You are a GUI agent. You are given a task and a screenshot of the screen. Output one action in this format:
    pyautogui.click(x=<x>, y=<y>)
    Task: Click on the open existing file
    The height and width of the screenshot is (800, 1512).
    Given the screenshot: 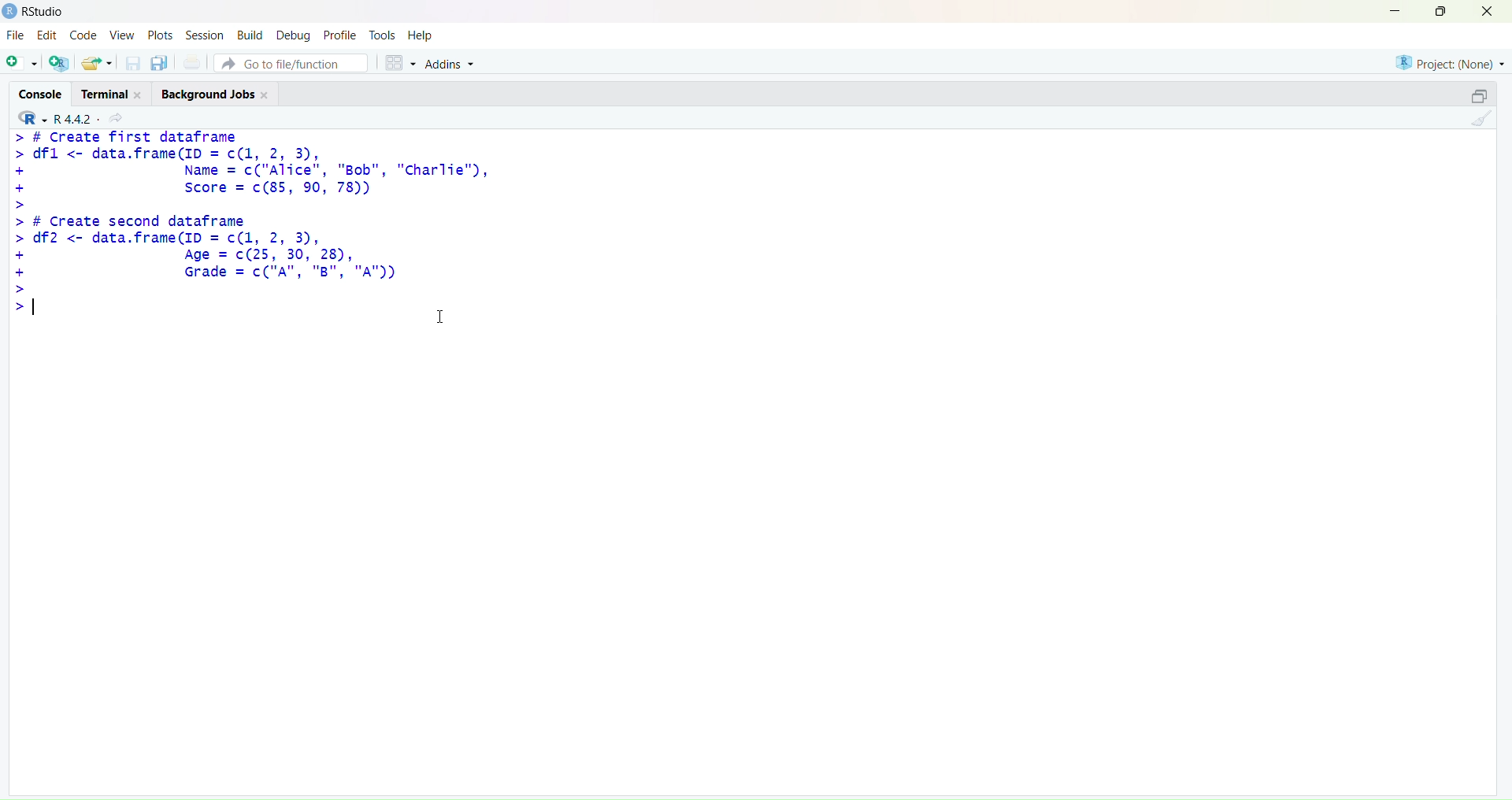 What is the action you would take?
    pyautogui.click(x=99, y=63)
    